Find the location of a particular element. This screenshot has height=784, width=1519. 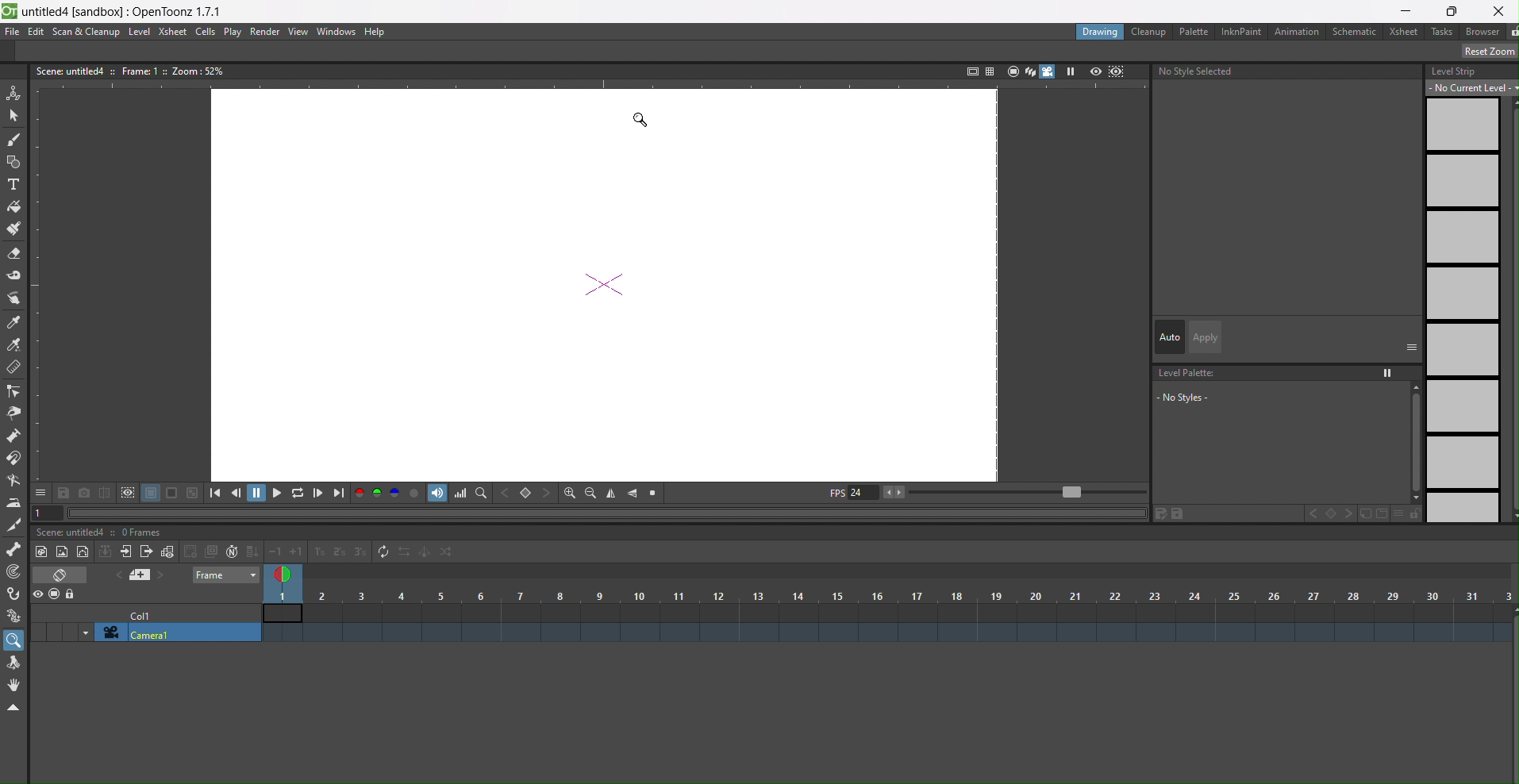

refresh is located at coordinates (382, 553).